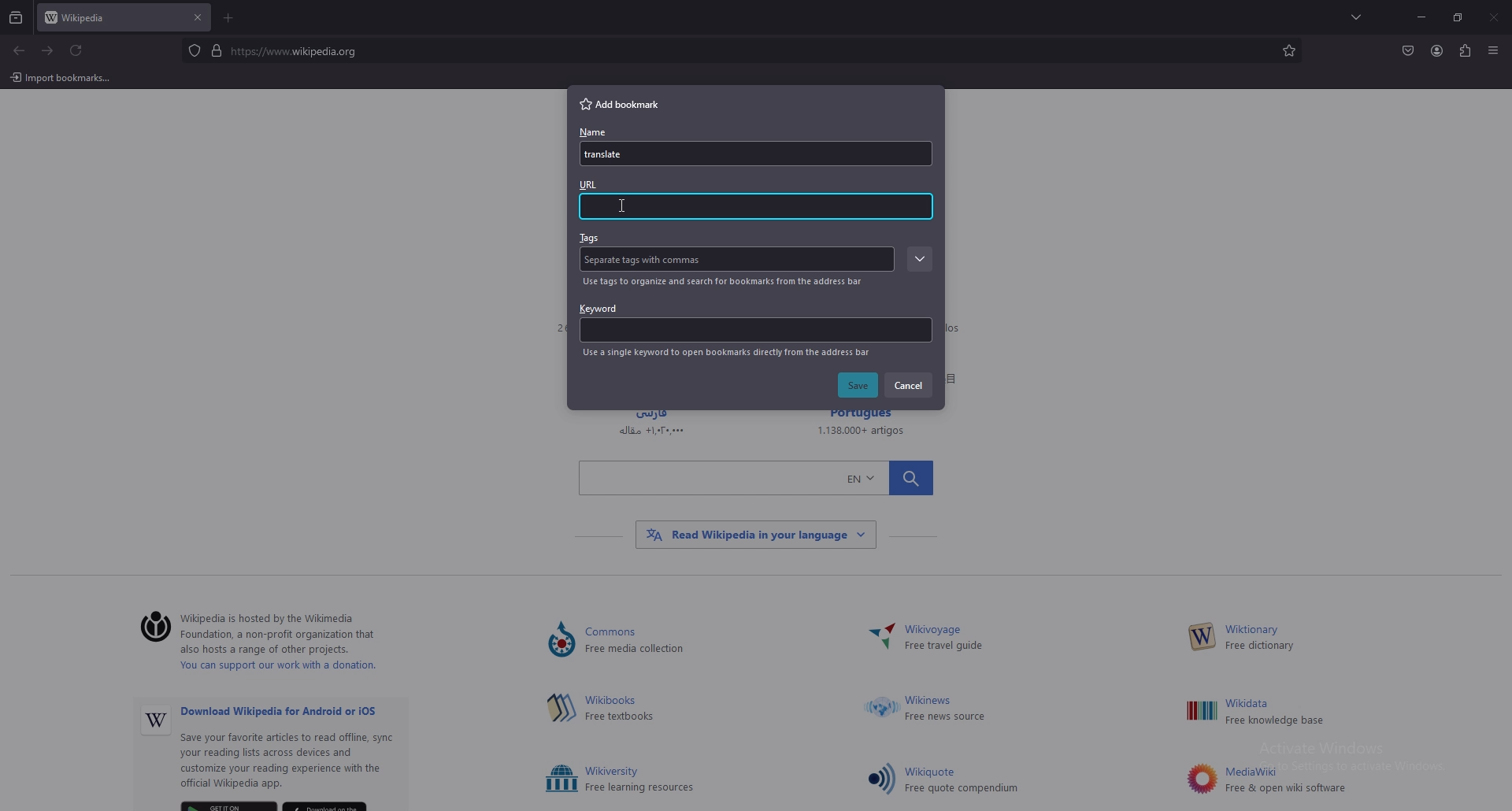 This screenshot has height=811, width=1512. I want to click on , so click(1289, 713).